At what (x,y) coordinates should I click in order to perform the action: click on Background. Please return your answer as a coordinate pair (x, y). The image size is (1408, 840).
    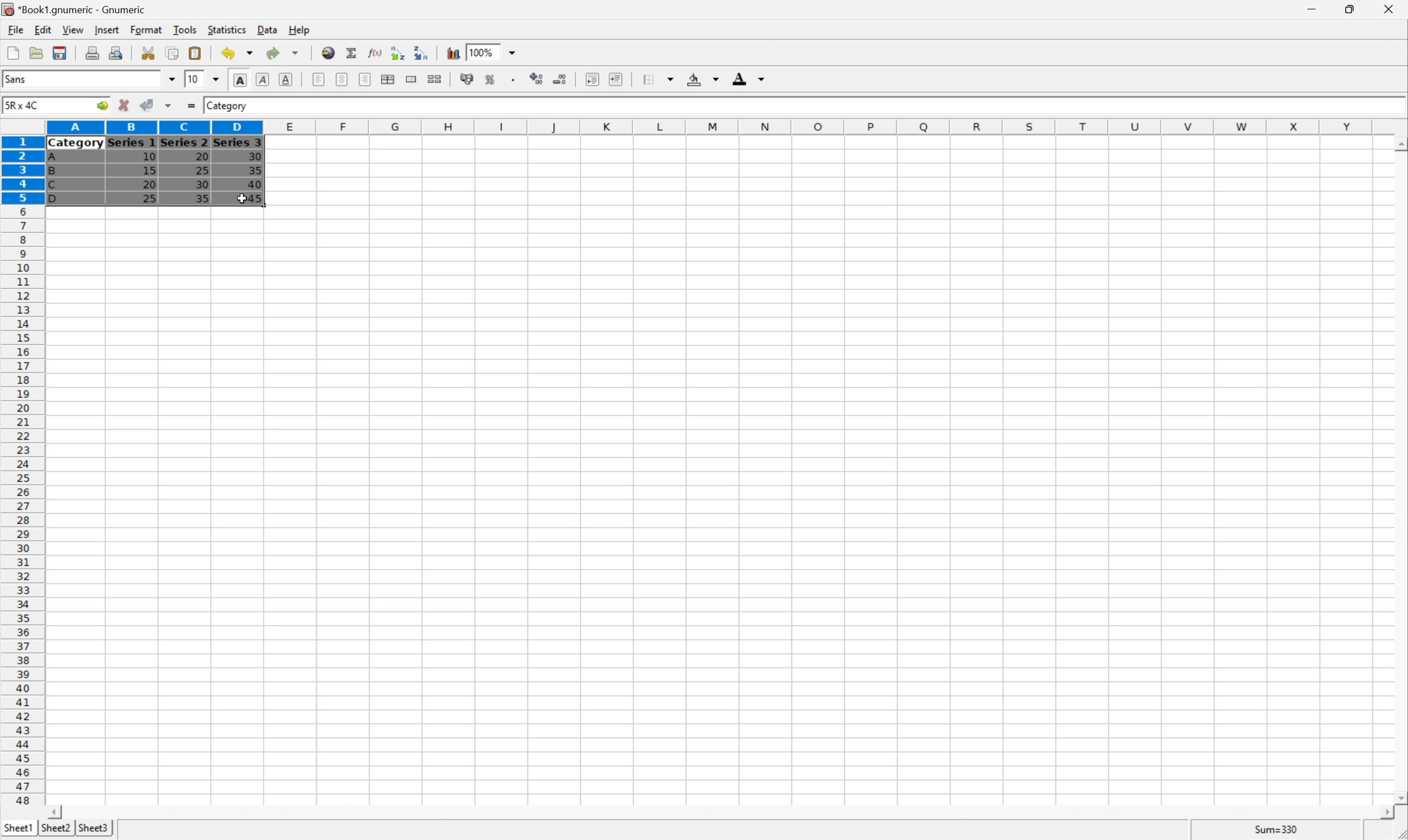
    Looking at the image, I should click on (701, 78).